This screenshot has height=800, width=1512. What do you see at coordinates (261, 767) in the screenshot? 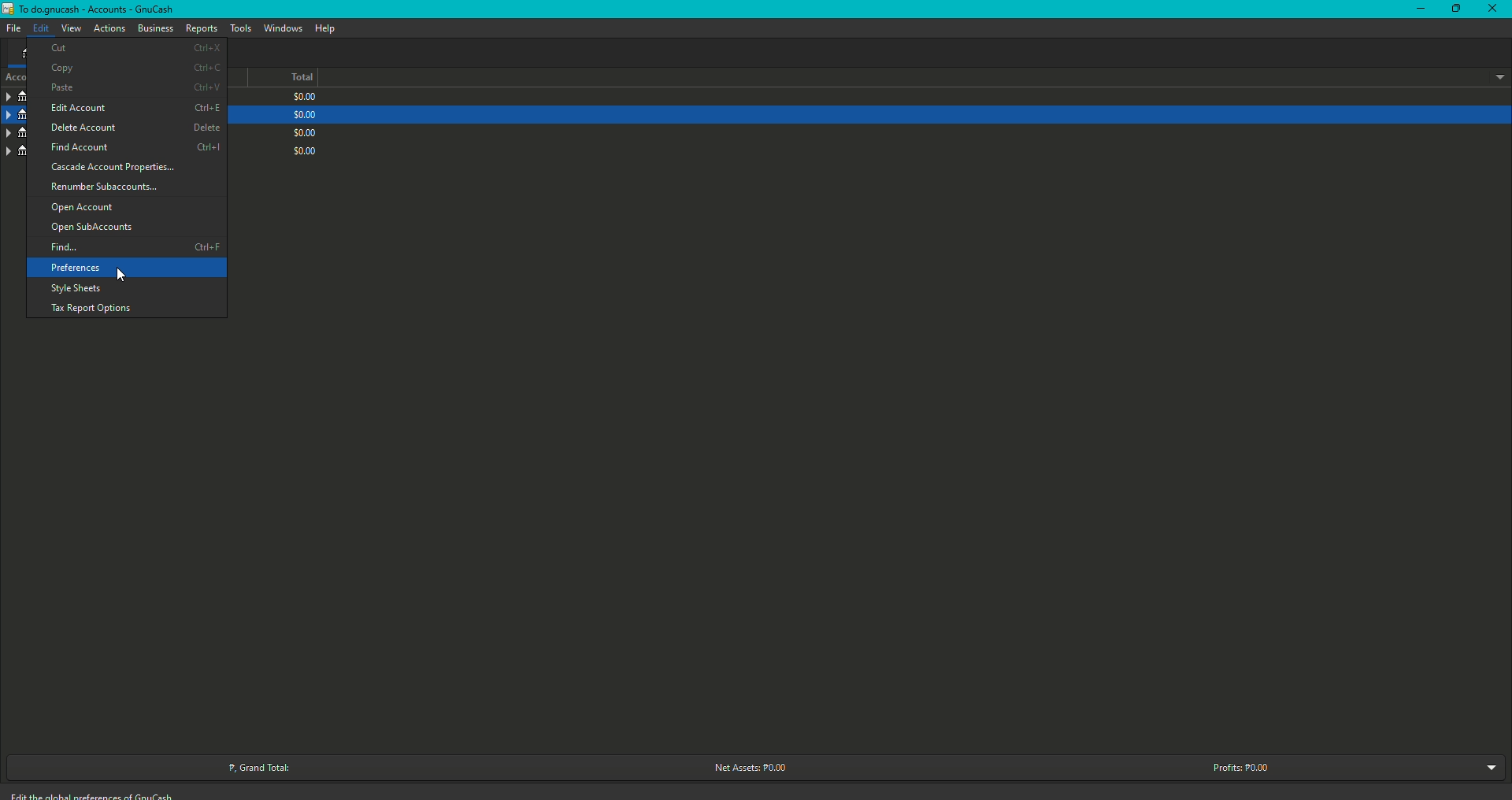
I see `Grand Total` at bounding box center [261, 767].